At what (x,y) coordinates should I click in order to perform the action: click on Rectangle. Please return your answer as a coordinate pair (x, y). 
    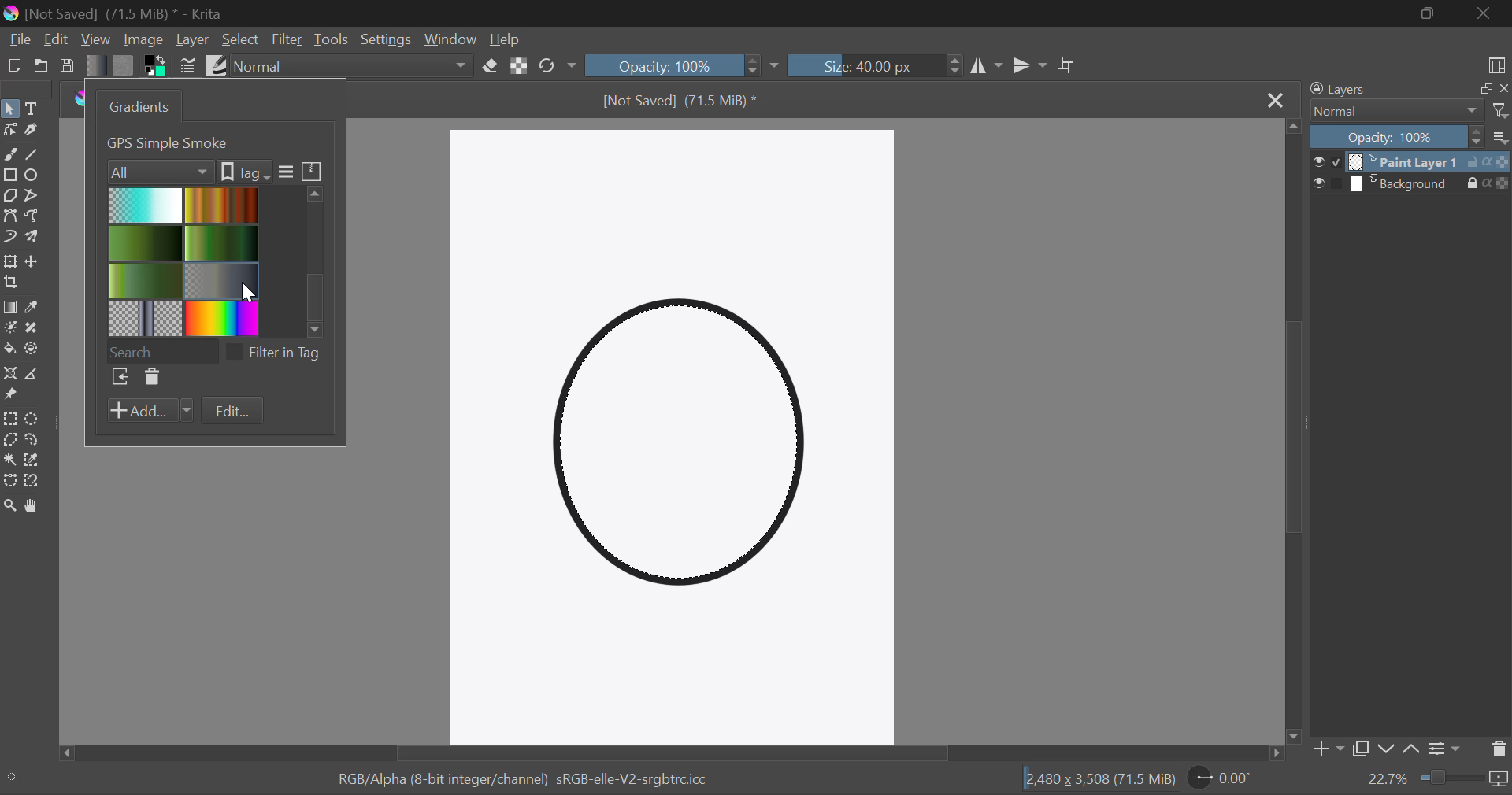
    Looking at the image, I should click on (11, 177).